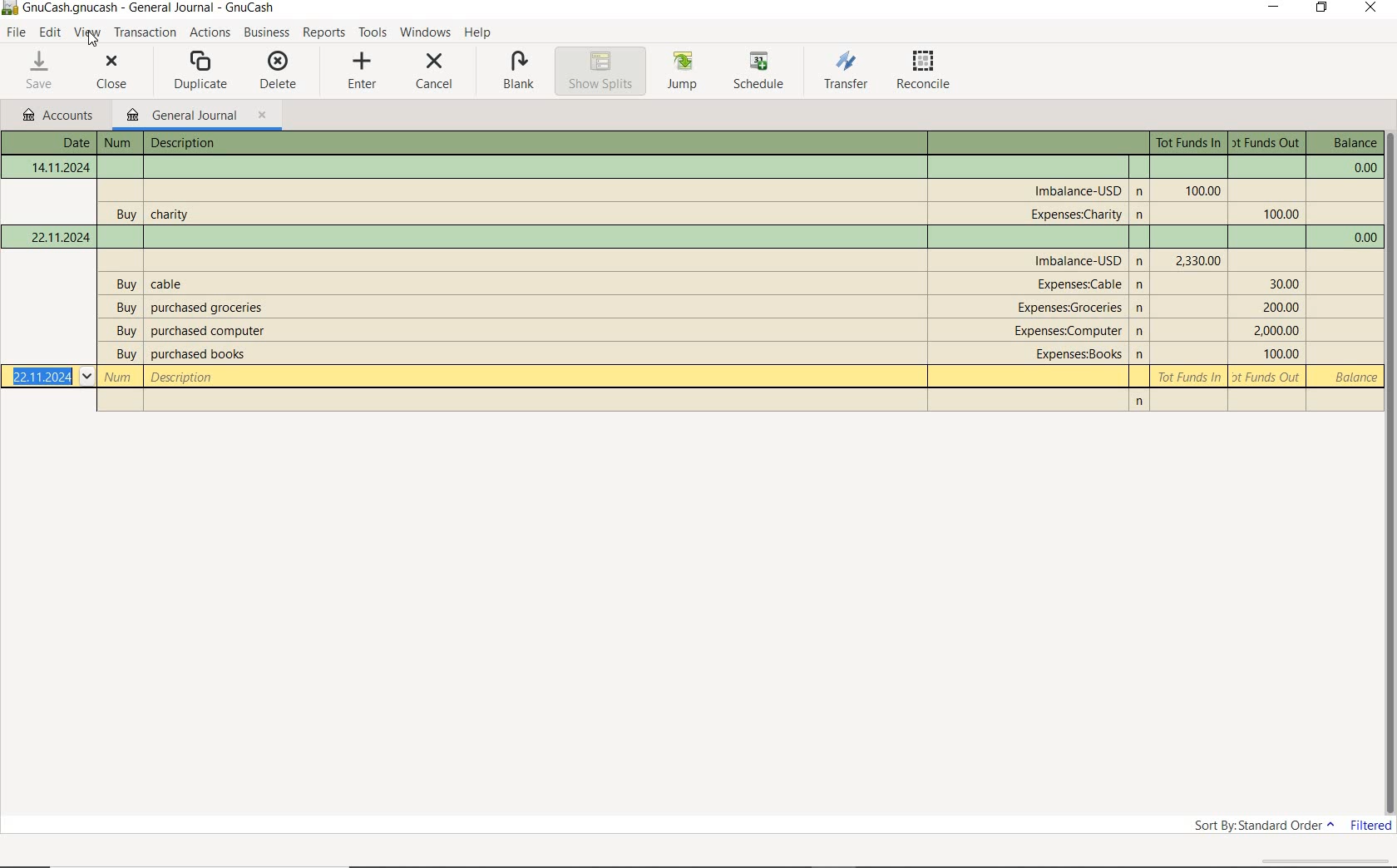 This screenshot has width=1397, height=868. What do you see at coordinates (373, 33) in the screenshot?
I see `TOOLS` at bounding box center [373, 33].